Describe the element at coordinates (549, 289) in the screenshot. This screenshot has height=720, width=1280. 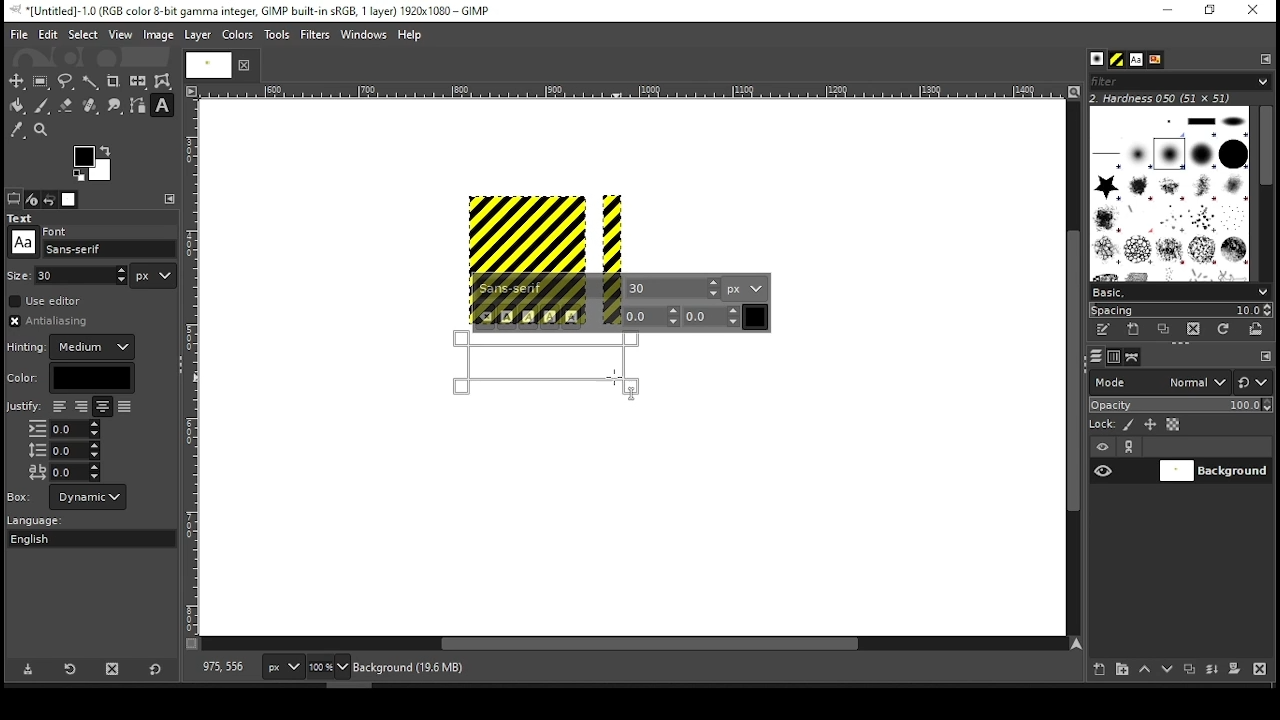
I see `font` at that location.